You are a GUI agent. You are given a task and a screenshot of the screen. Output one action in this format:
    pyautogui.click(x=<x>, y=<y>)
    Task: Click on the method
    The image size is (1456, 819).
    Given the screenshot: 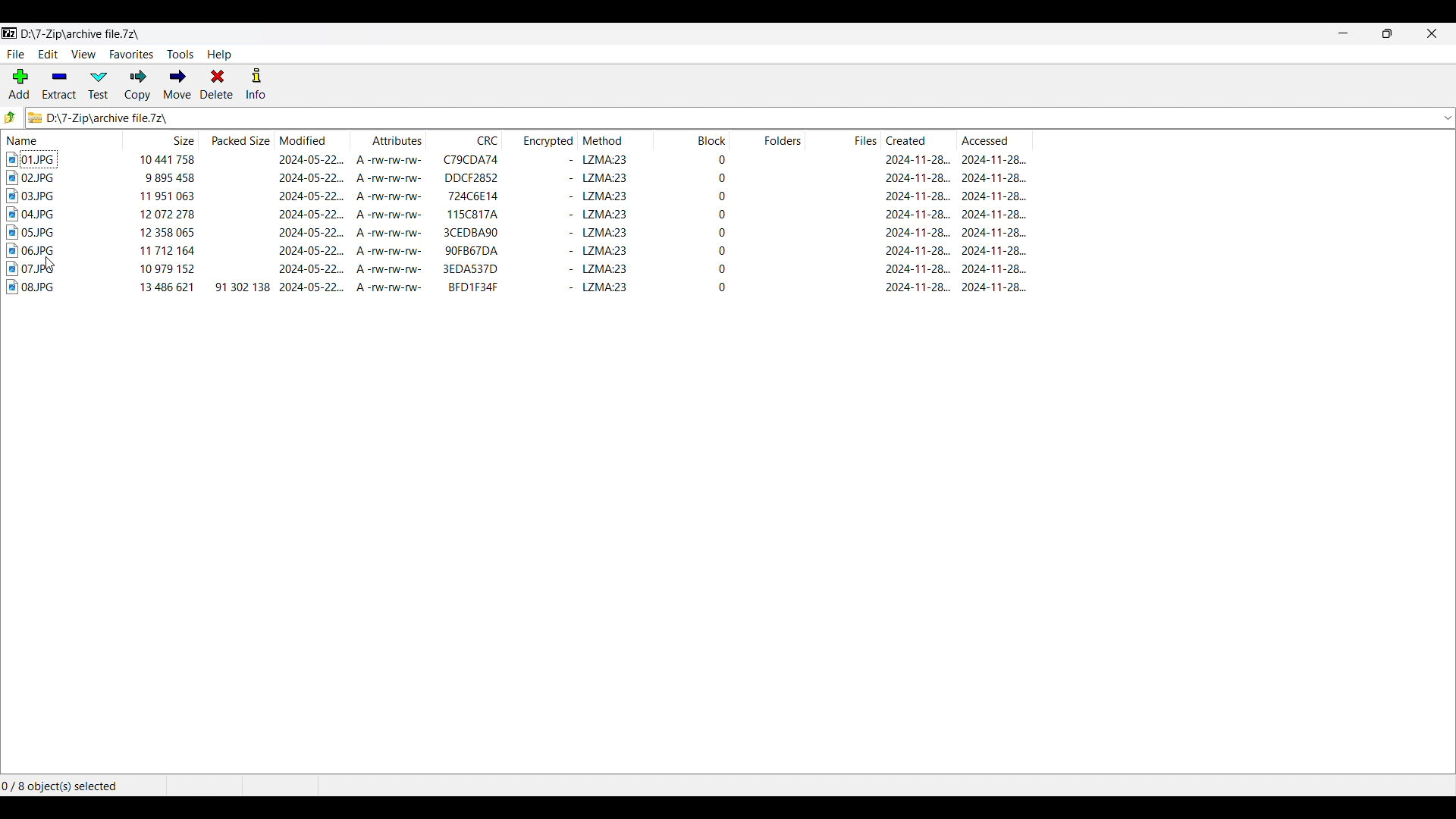 What is the action you would take?
    pyautogui.click(x=605, y=196)
    